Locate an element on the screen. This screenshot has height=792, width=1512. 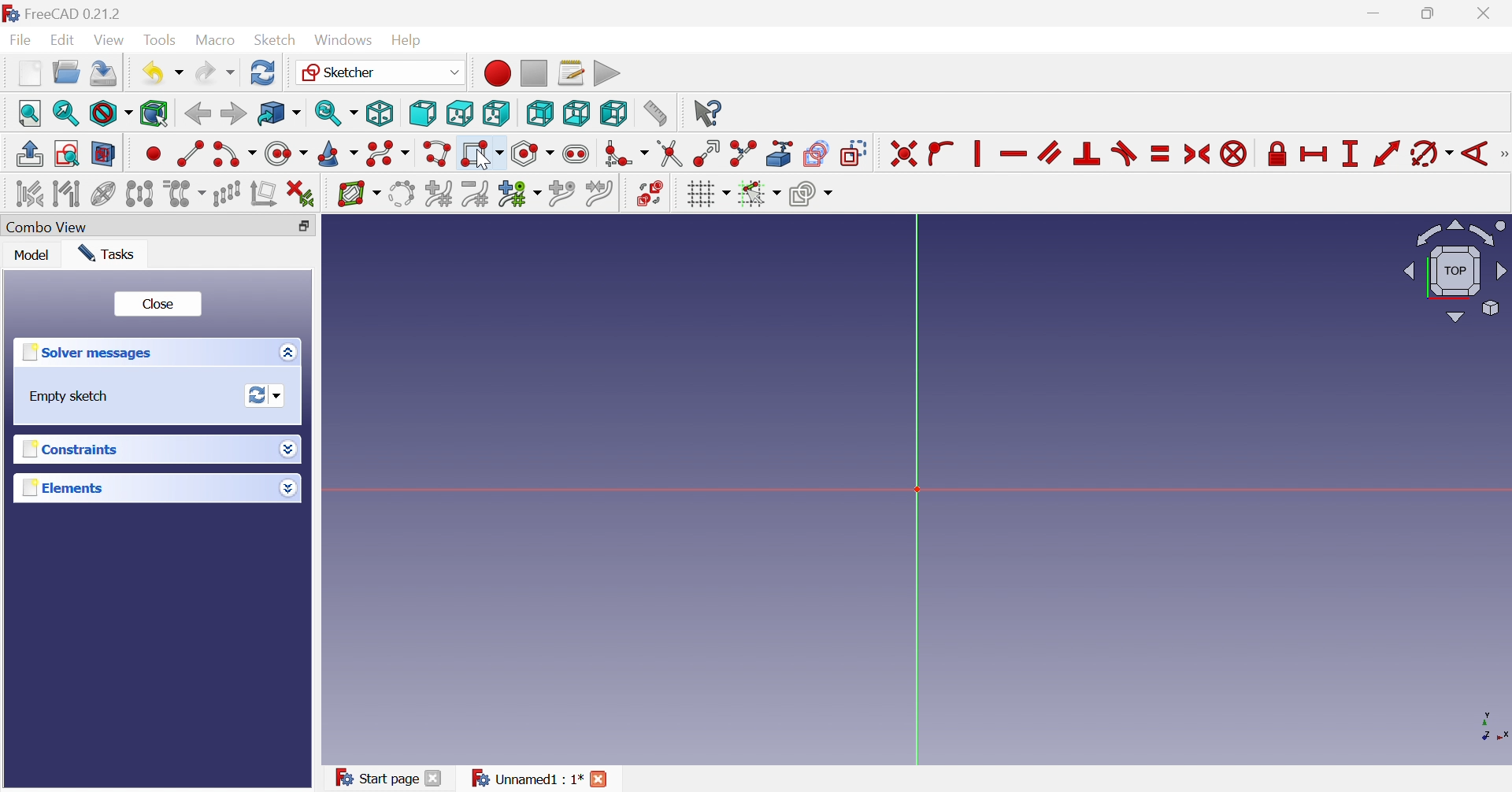
Empty sketch is located at coordinates (70, 397).